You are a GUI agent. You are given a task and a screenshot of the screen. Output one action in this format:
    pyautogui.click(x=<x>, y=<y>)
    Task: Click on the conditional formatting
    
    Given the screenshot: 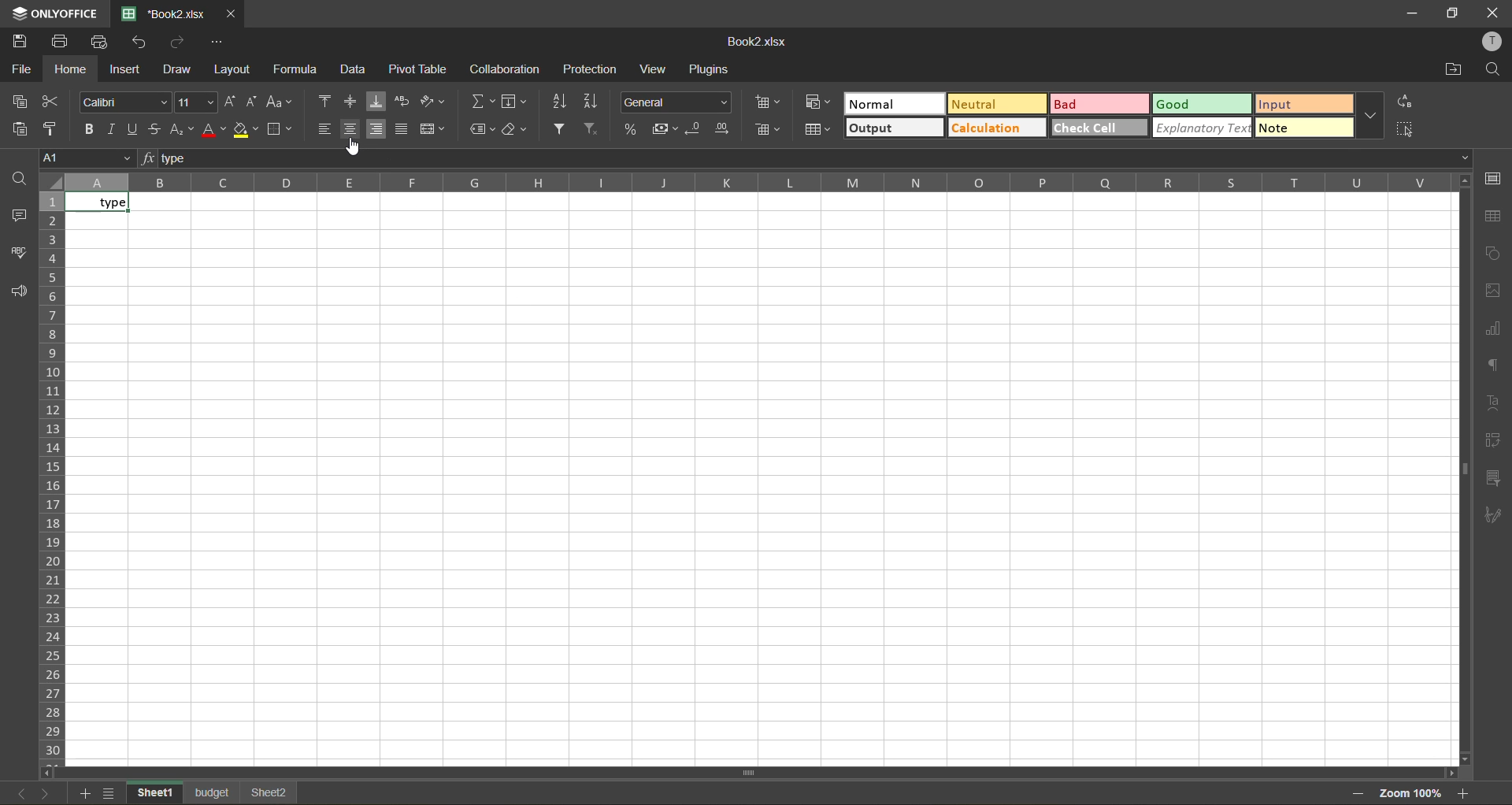 What is the action you would take?
    pyautogui.click(x=816, y=102)
    